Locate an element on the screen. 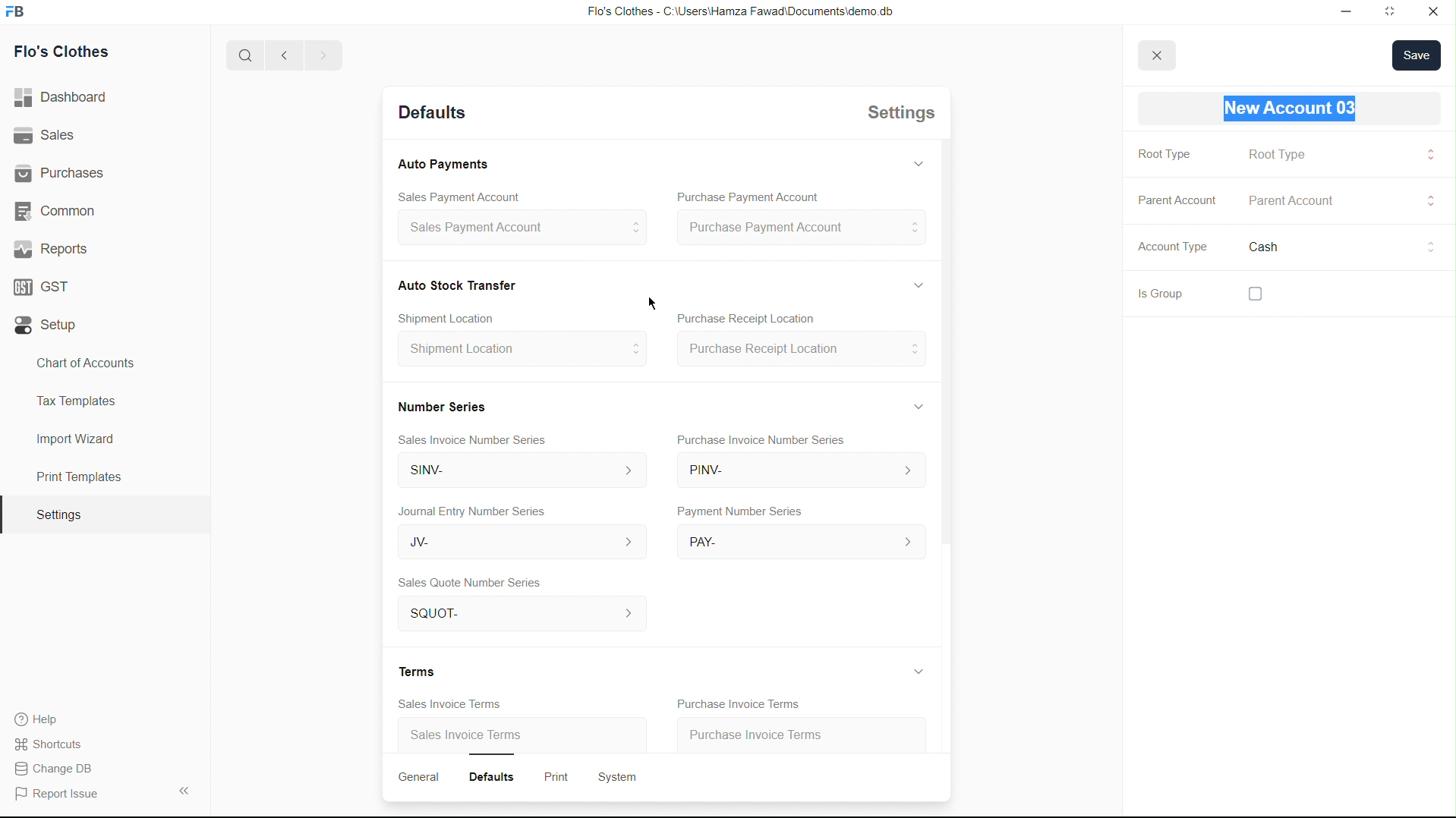  System is located at coordinates (622, 776).